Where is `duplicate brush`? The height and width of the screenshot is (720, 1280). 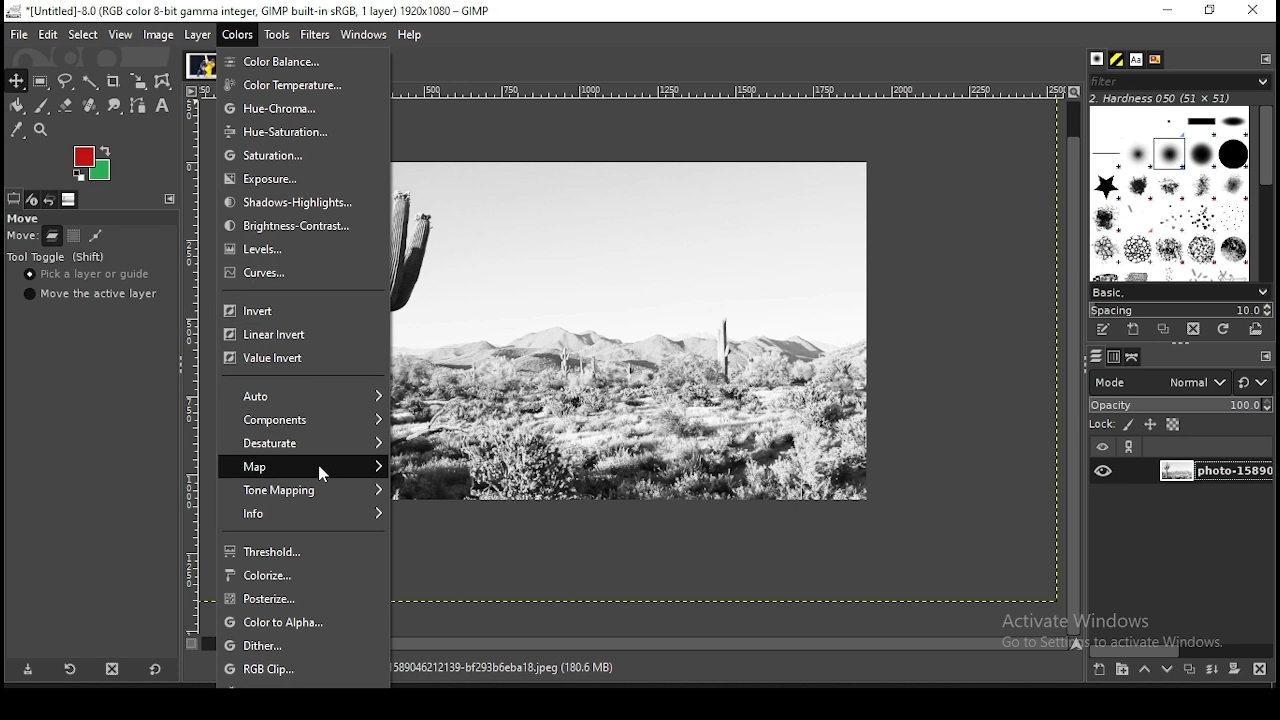
duplicate brush is located at coordinates (1163, 330).